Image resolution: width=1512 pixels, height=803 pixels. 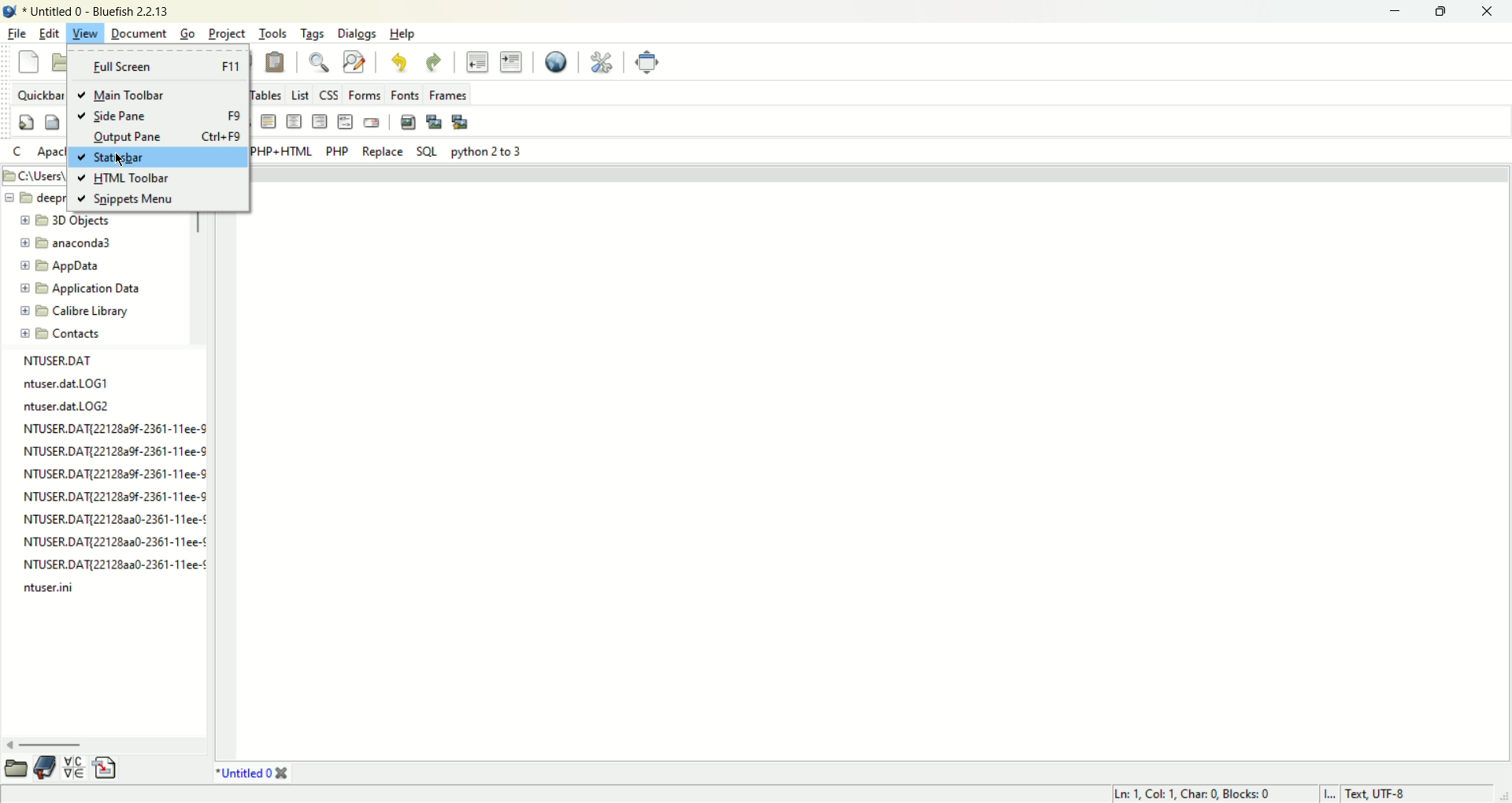 What do you see at coordinates (46, 766) in the screenshot?
I see `bookmark` at bounding box center [46, 766].